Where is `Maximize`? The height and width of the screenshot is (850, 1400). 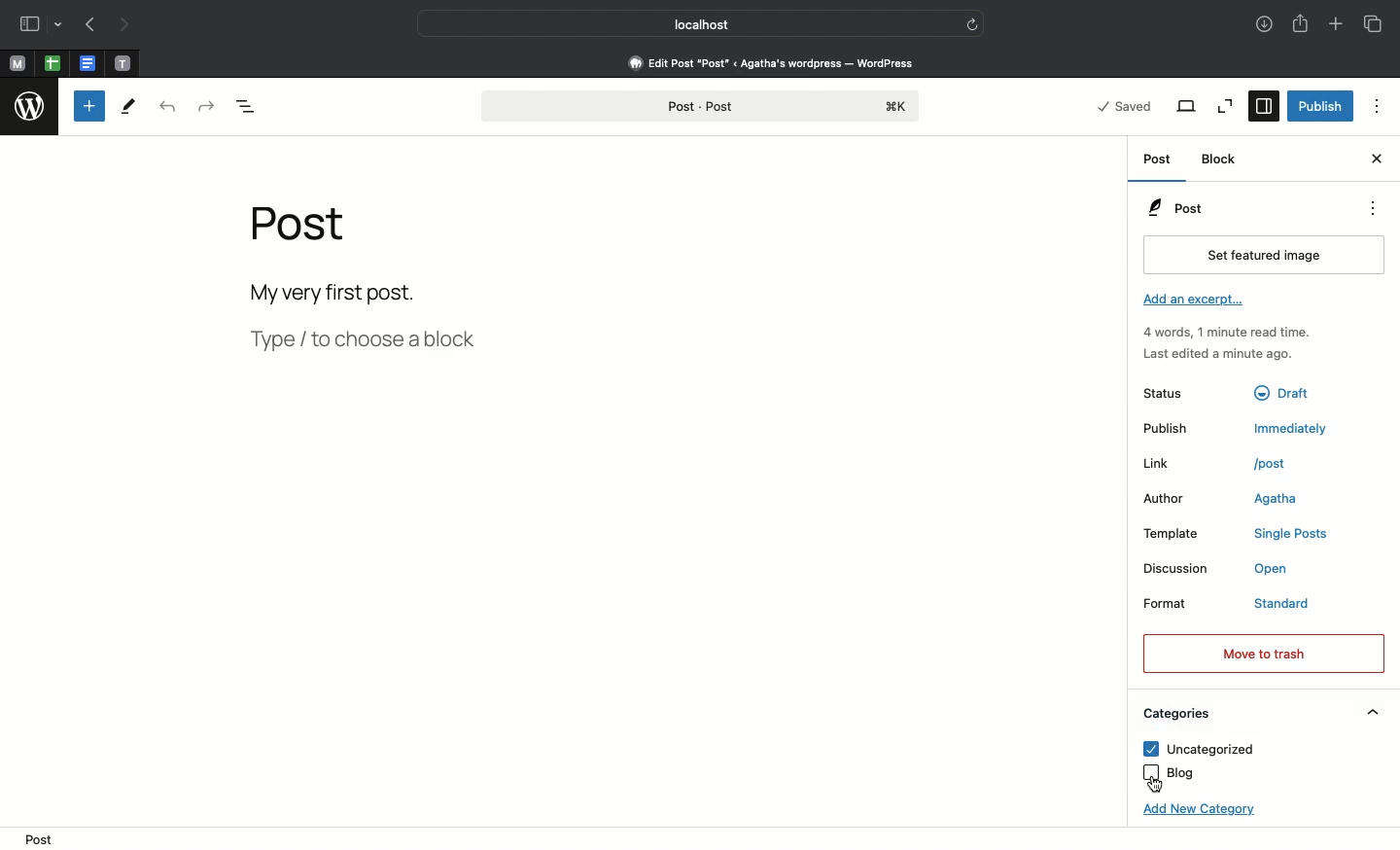
Maximize is located at coordinates (1223, 106).